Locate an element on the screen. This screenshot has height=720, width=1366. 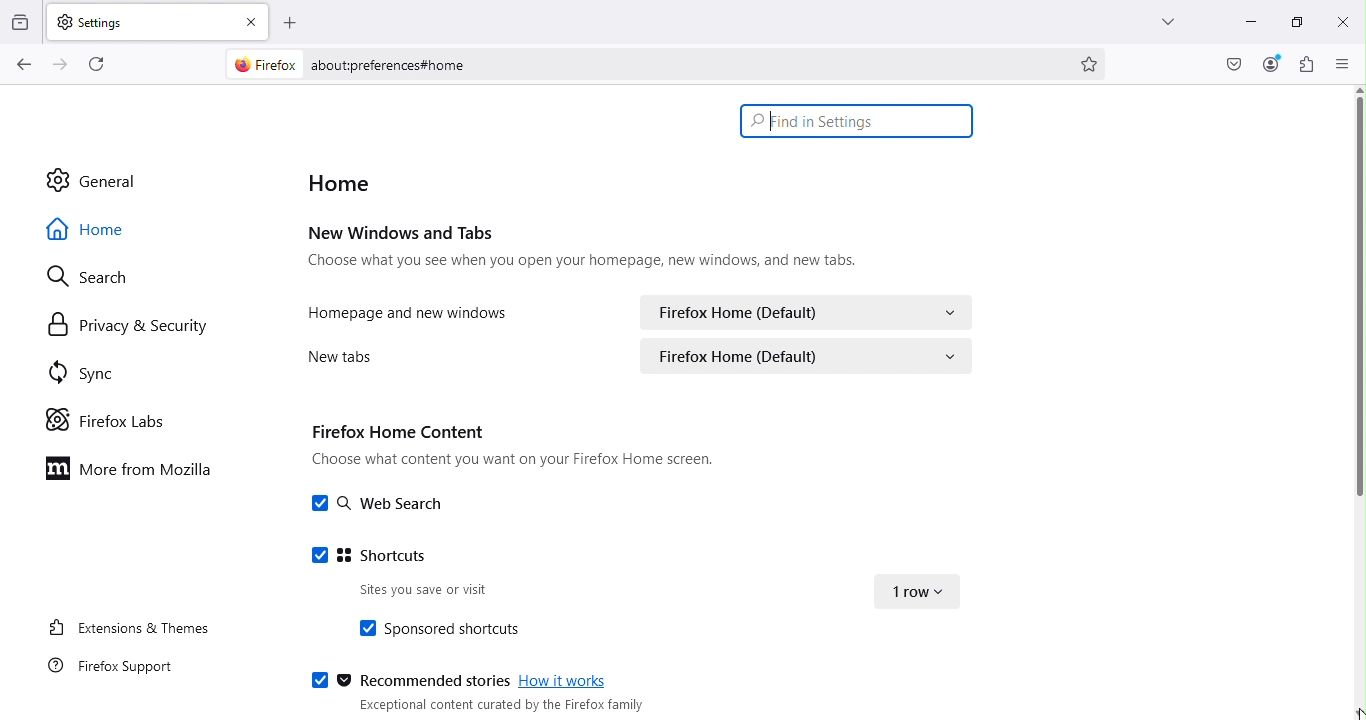
Extensions and themes is located at coordinates (125, 626).